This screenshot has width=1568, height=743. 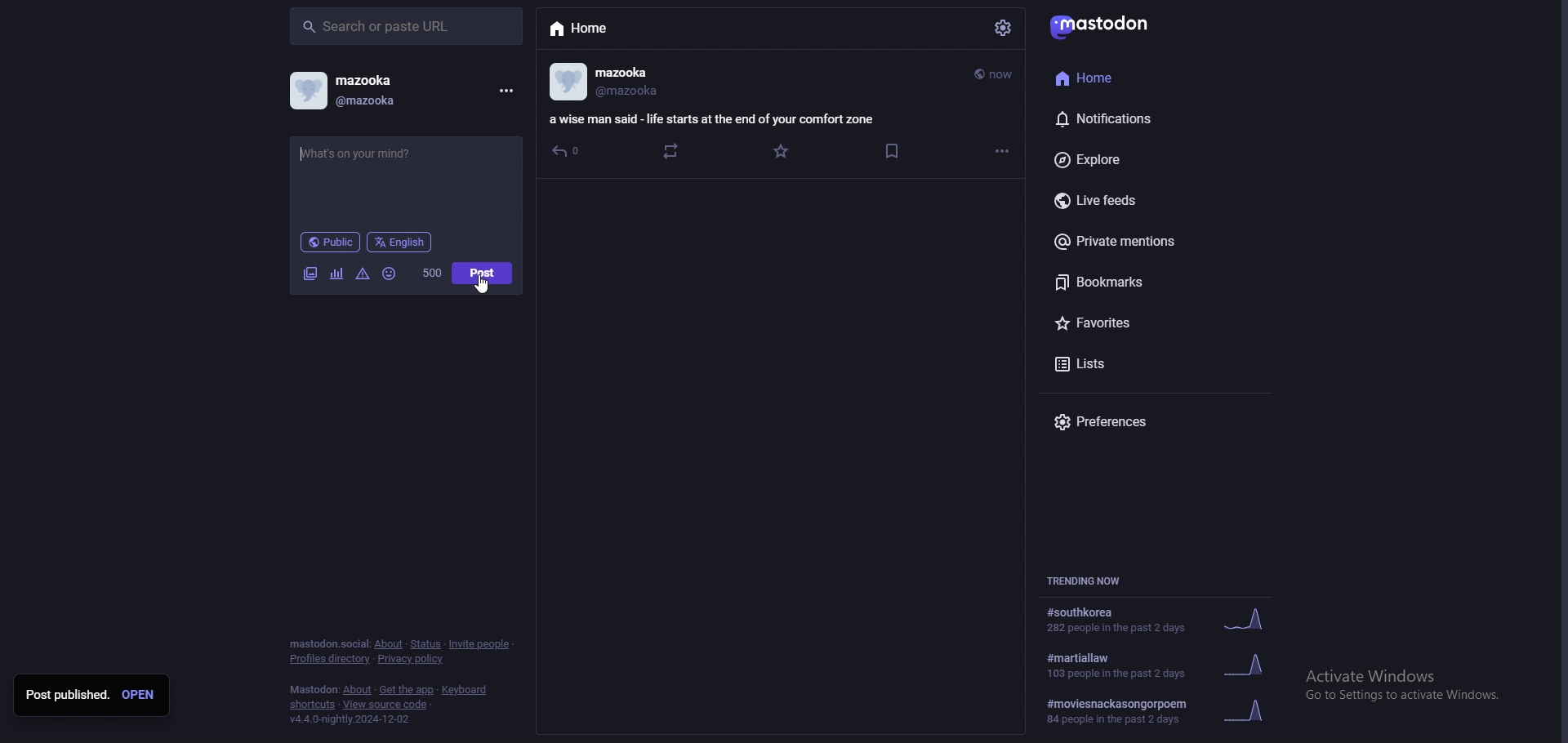 I want to click on polls, so click(x=336, y=274).